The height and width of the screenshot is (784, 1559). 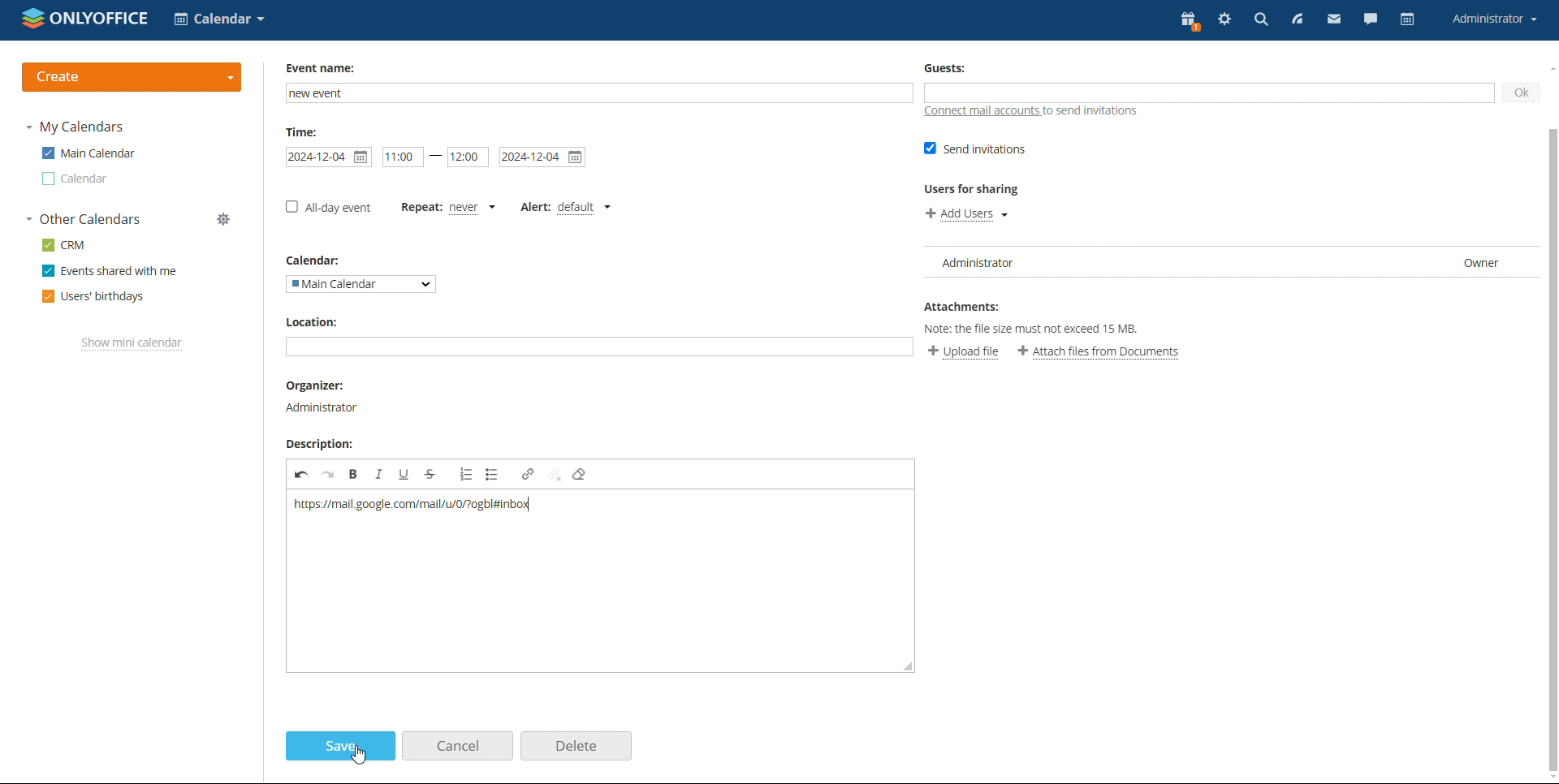 What do you see at coordinates (952, 66) in the screenshot?
I see `Guests:` at bounding box center [952, 66].